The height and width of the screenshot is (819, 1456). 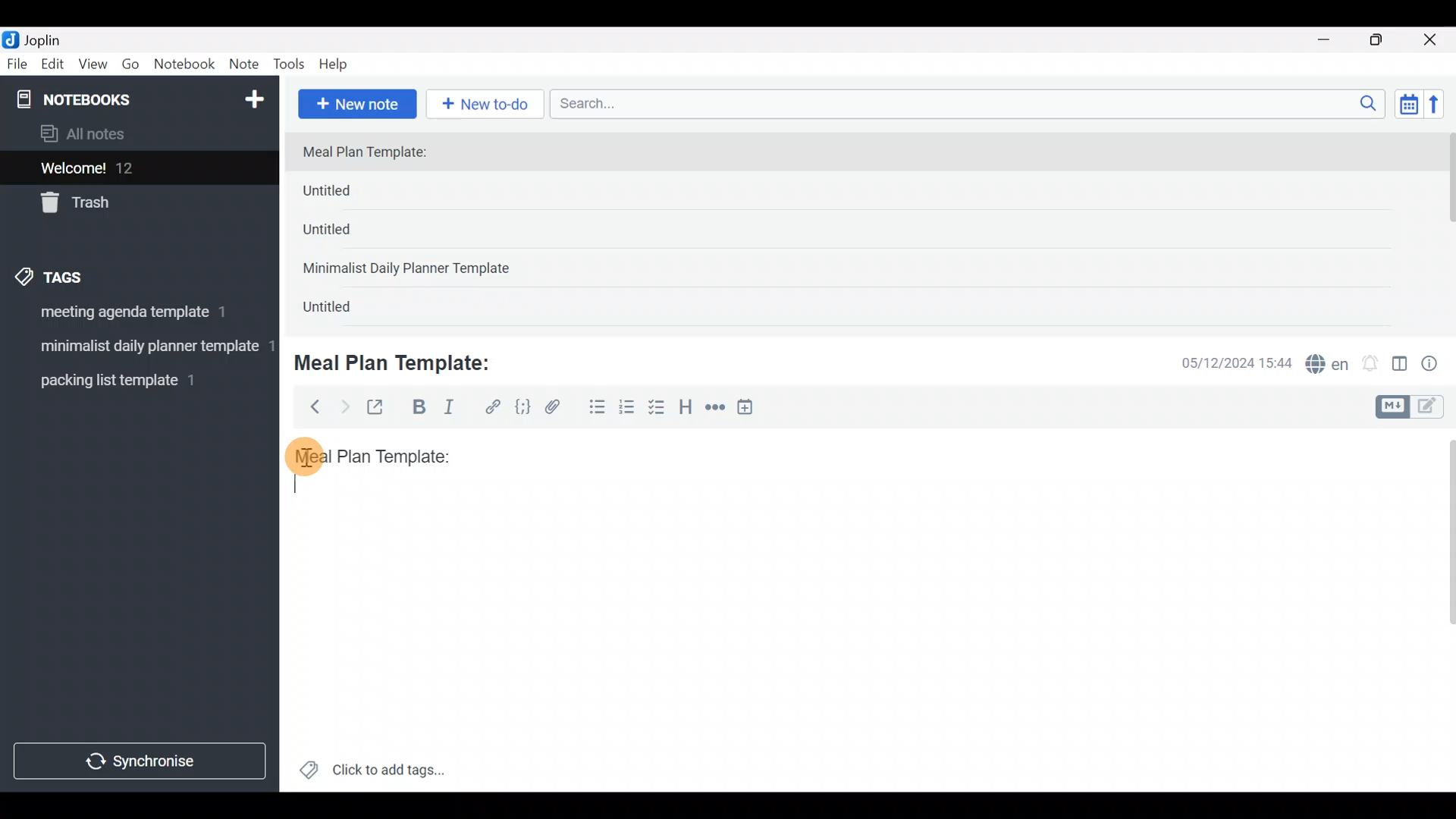 What do you see at coordinates (18, 64) in the screenshot?
I see `File` at bounding box center [18, 64].